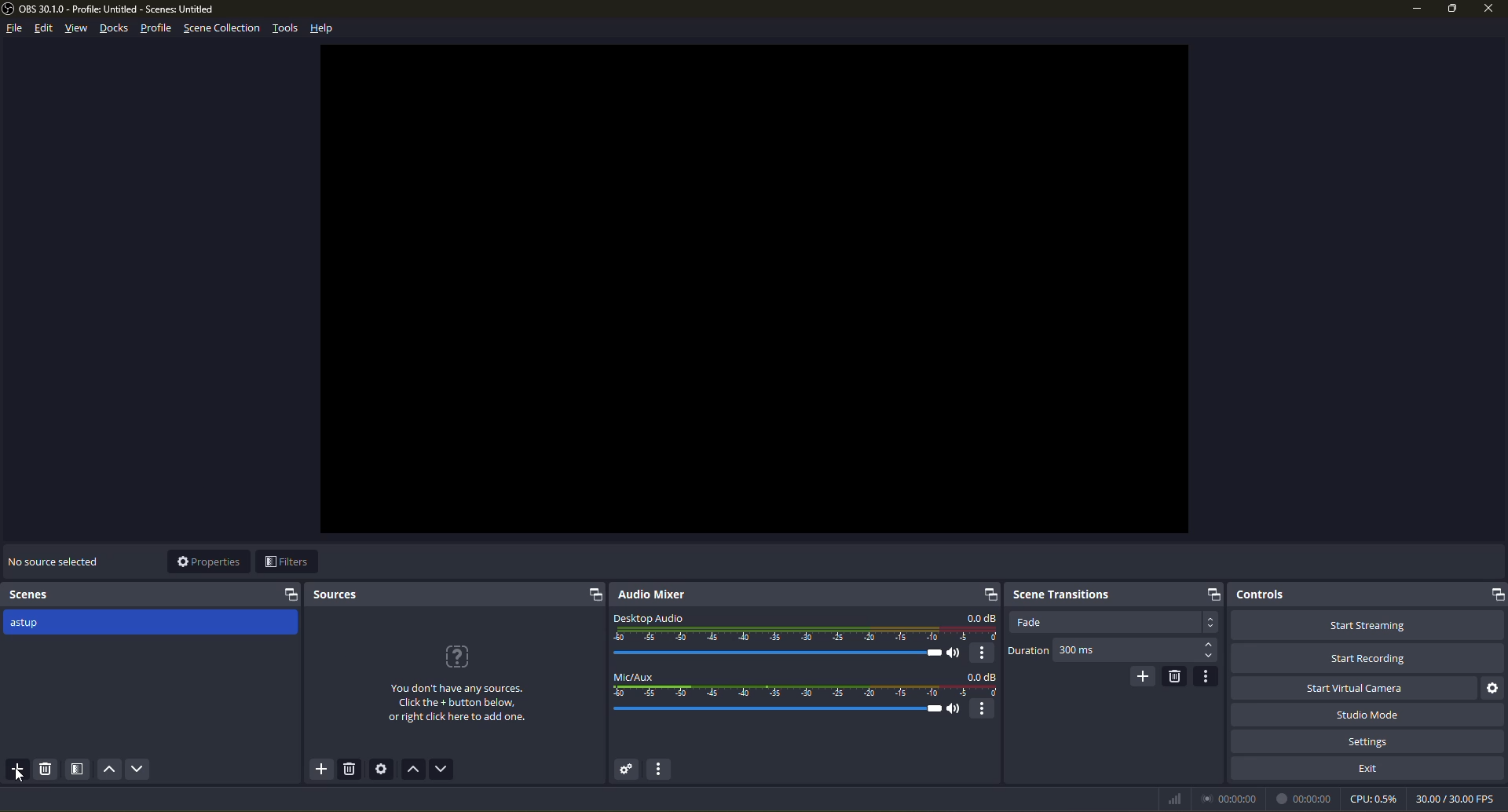  I want to click on maximize, so click(1453, 9).